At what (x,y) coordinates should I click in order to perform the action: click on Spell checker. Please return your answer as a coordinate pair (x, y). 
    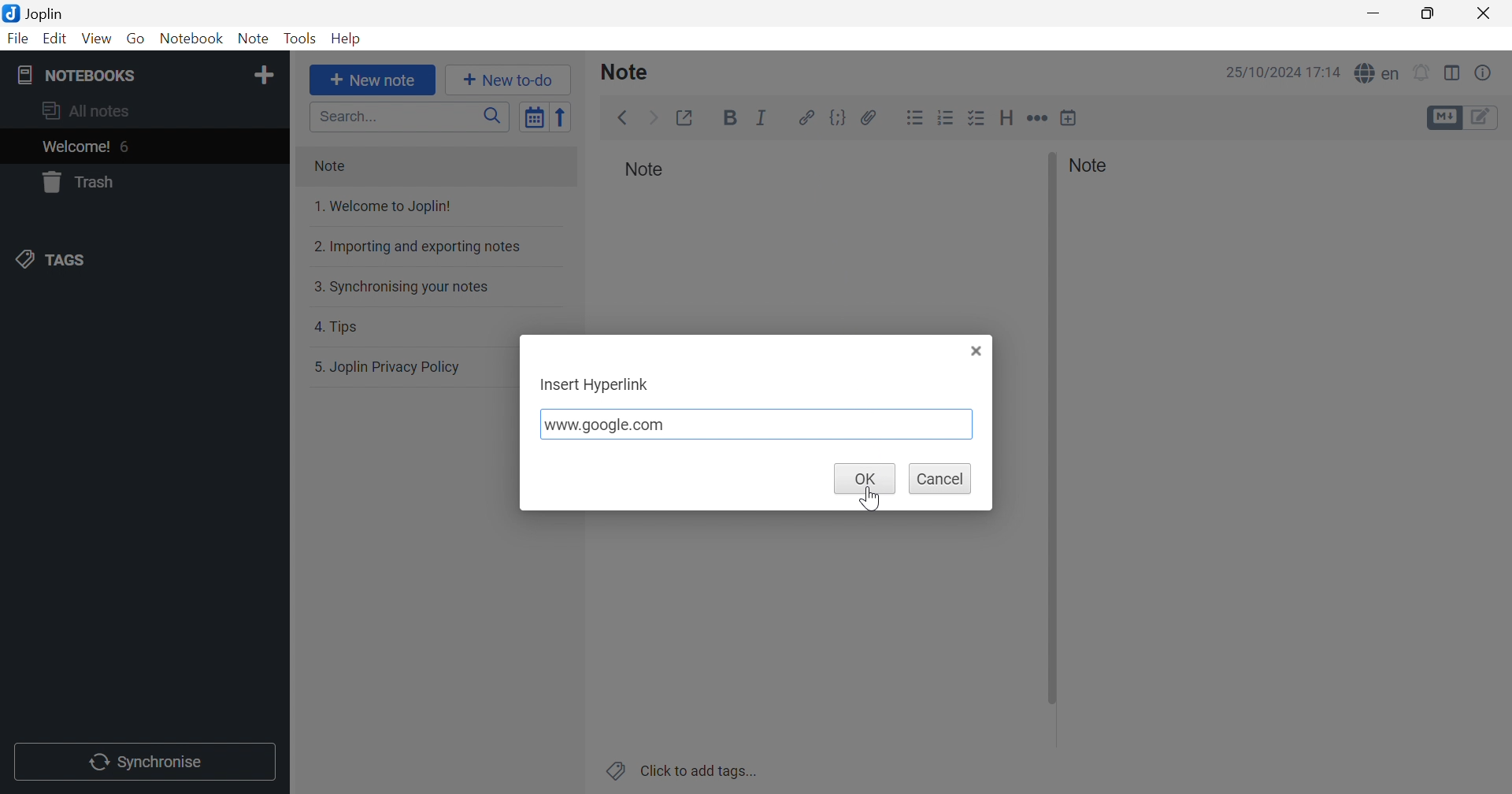
    Looking at the image, I should click on (1377, 74).